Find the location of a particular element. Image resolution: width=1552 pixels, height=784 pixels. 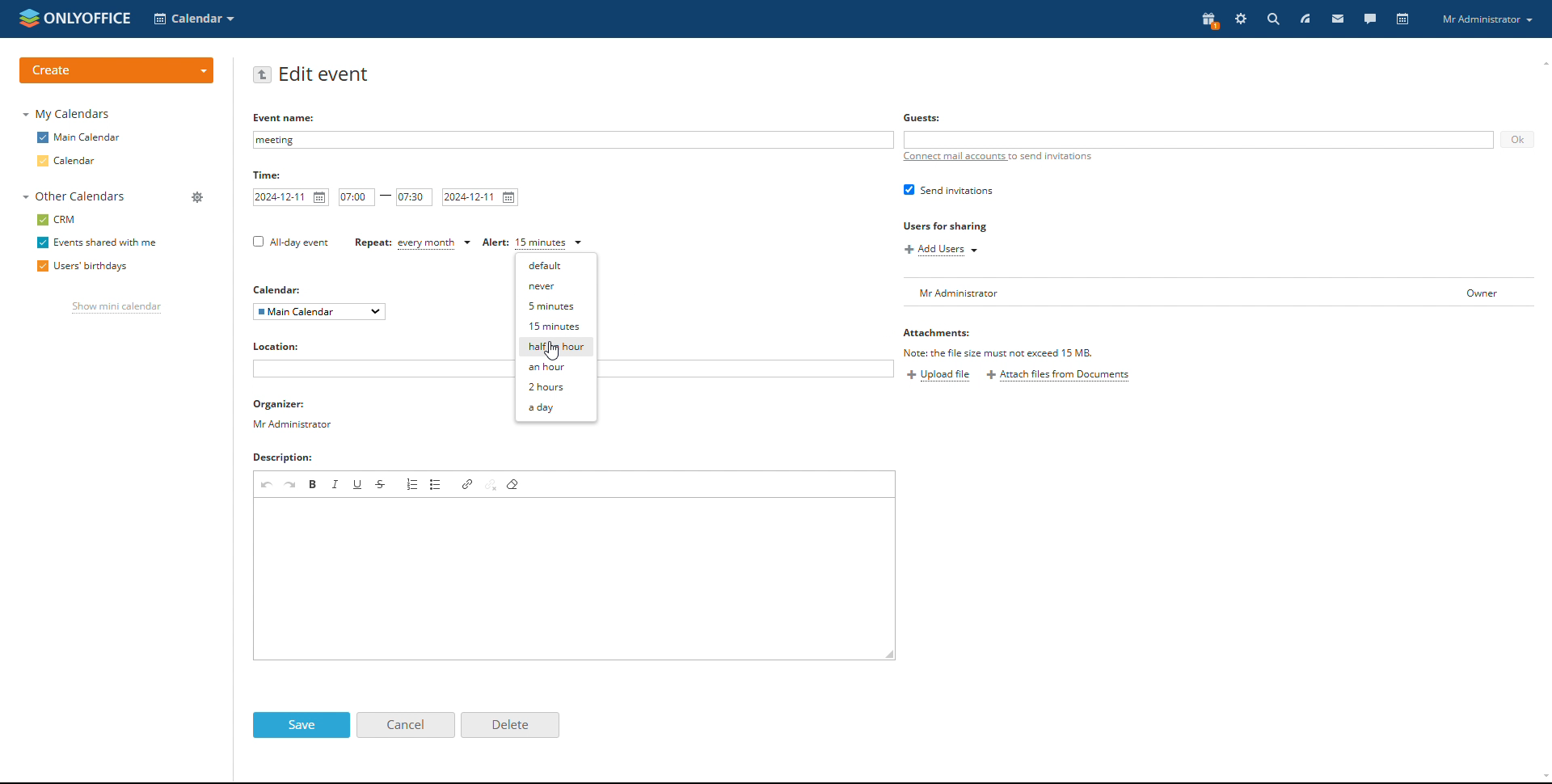

Mr Administrator  is located at coordinates (1490, 21).